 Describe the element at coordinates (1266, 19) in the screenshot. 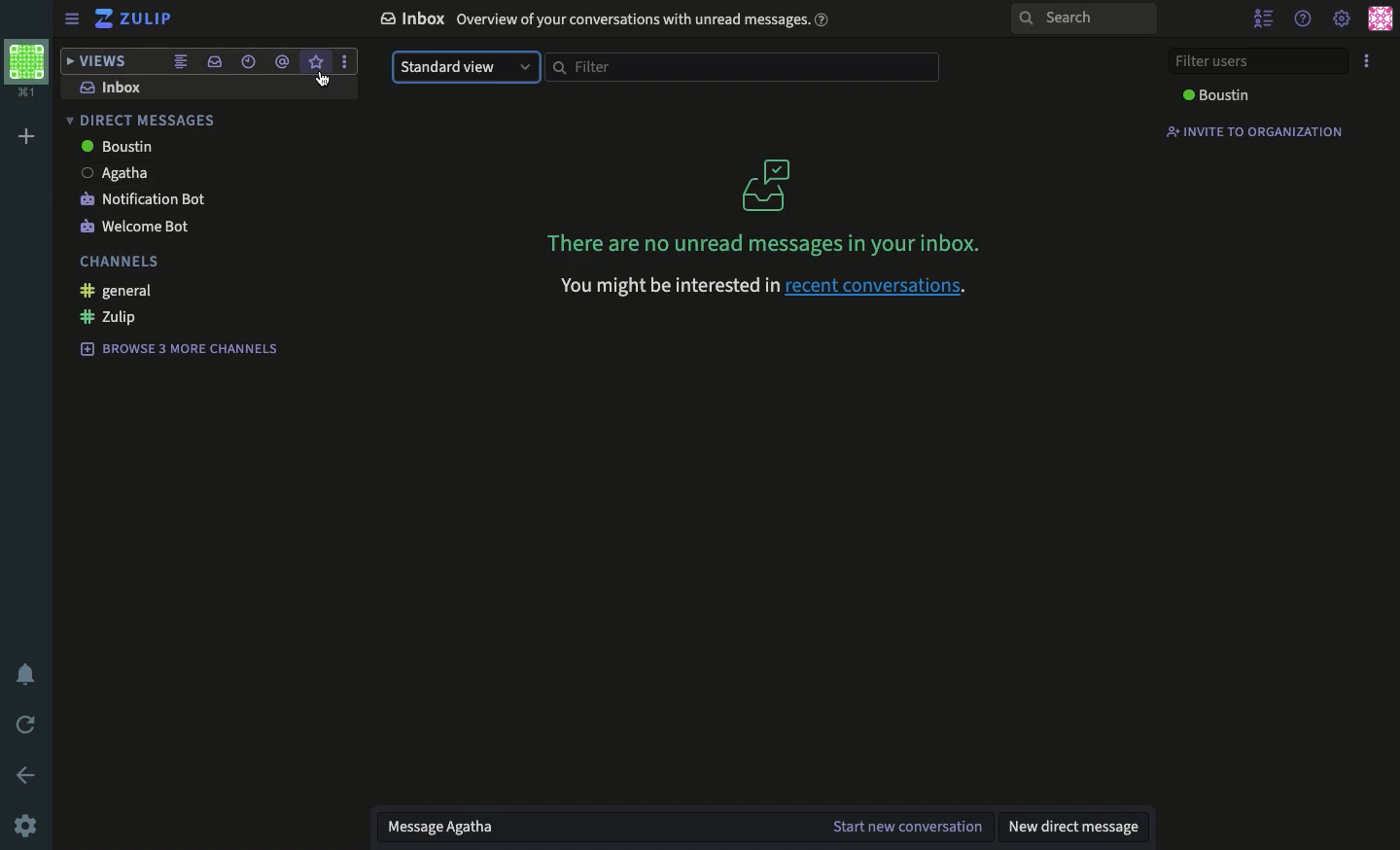

I see `hide user list` at that location.